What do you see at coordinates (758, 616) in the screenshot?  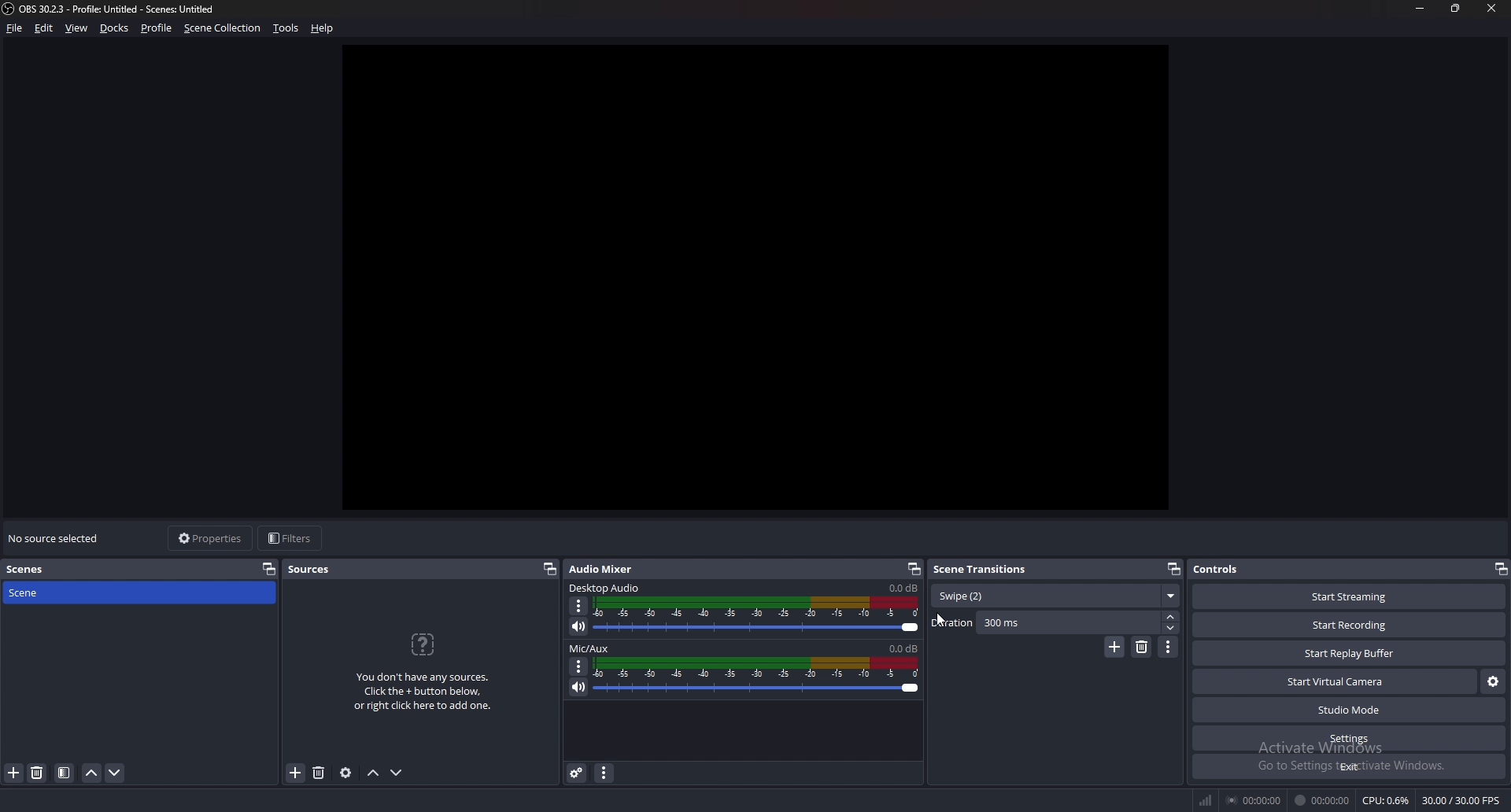 I see `volume adjust` at bounding box center [758, 616].